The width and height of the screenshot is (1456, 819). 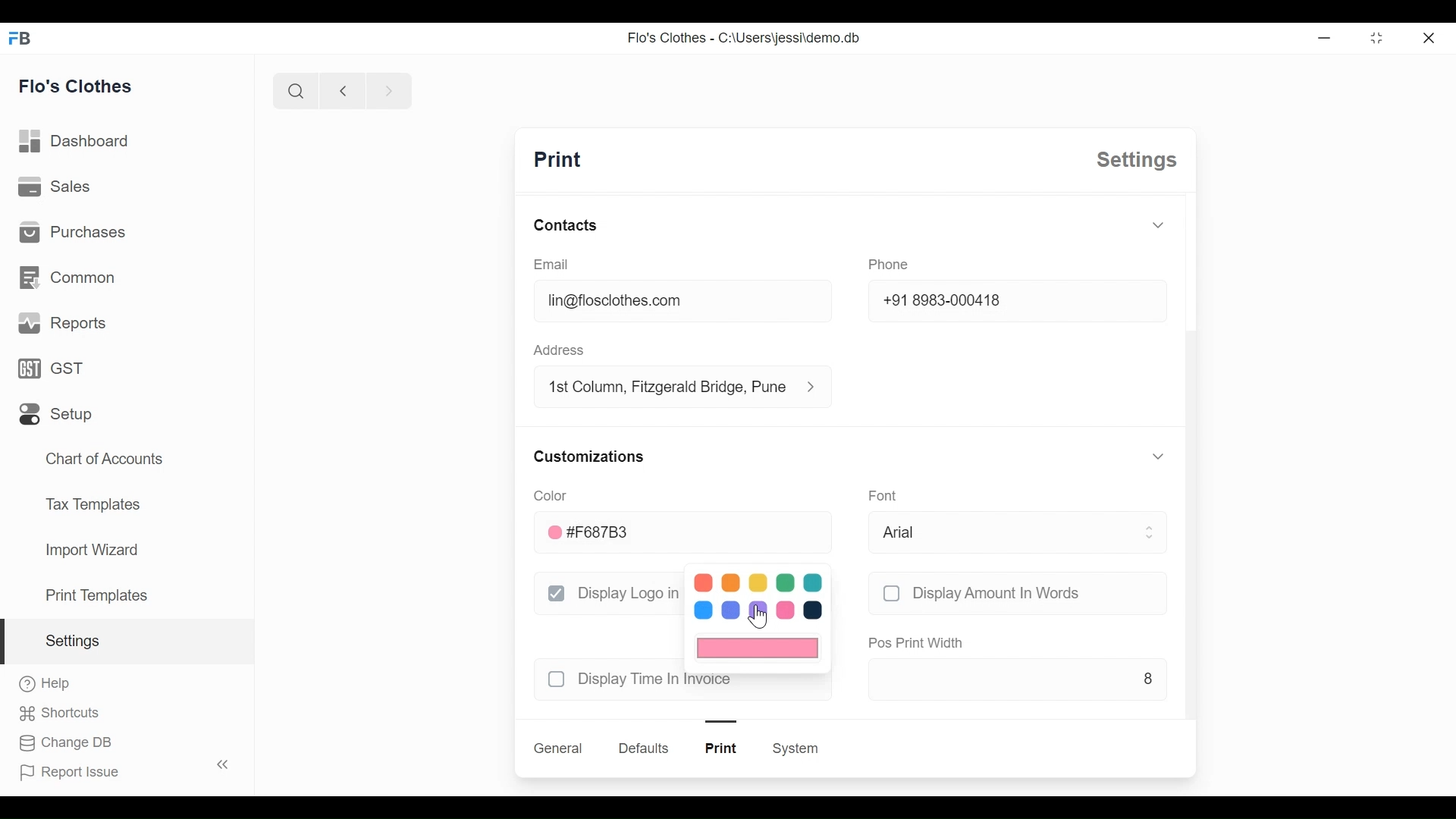 I want to click on purchases, so click(x=71, y=231).